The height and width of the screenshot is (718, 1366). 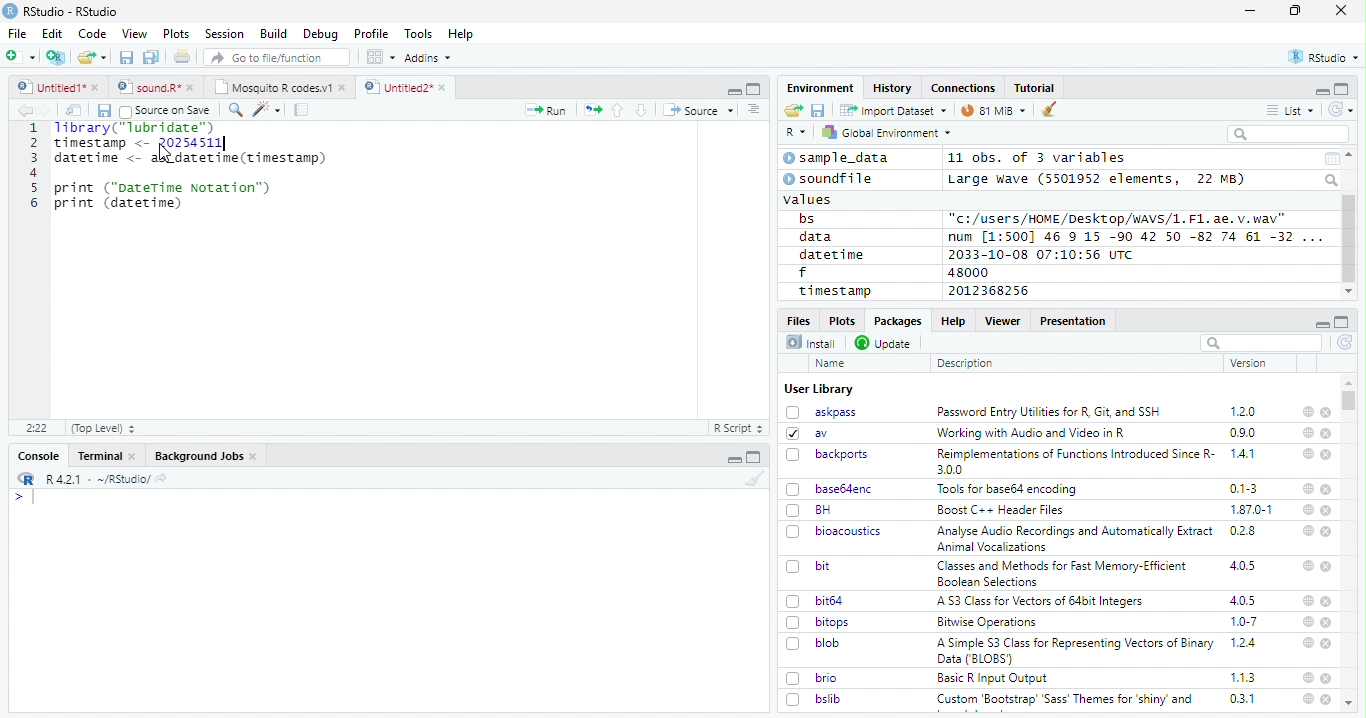 What do you see at coordinates (811, 342) in the screenshot?
I see `Install` at bounding box center [811, 342].